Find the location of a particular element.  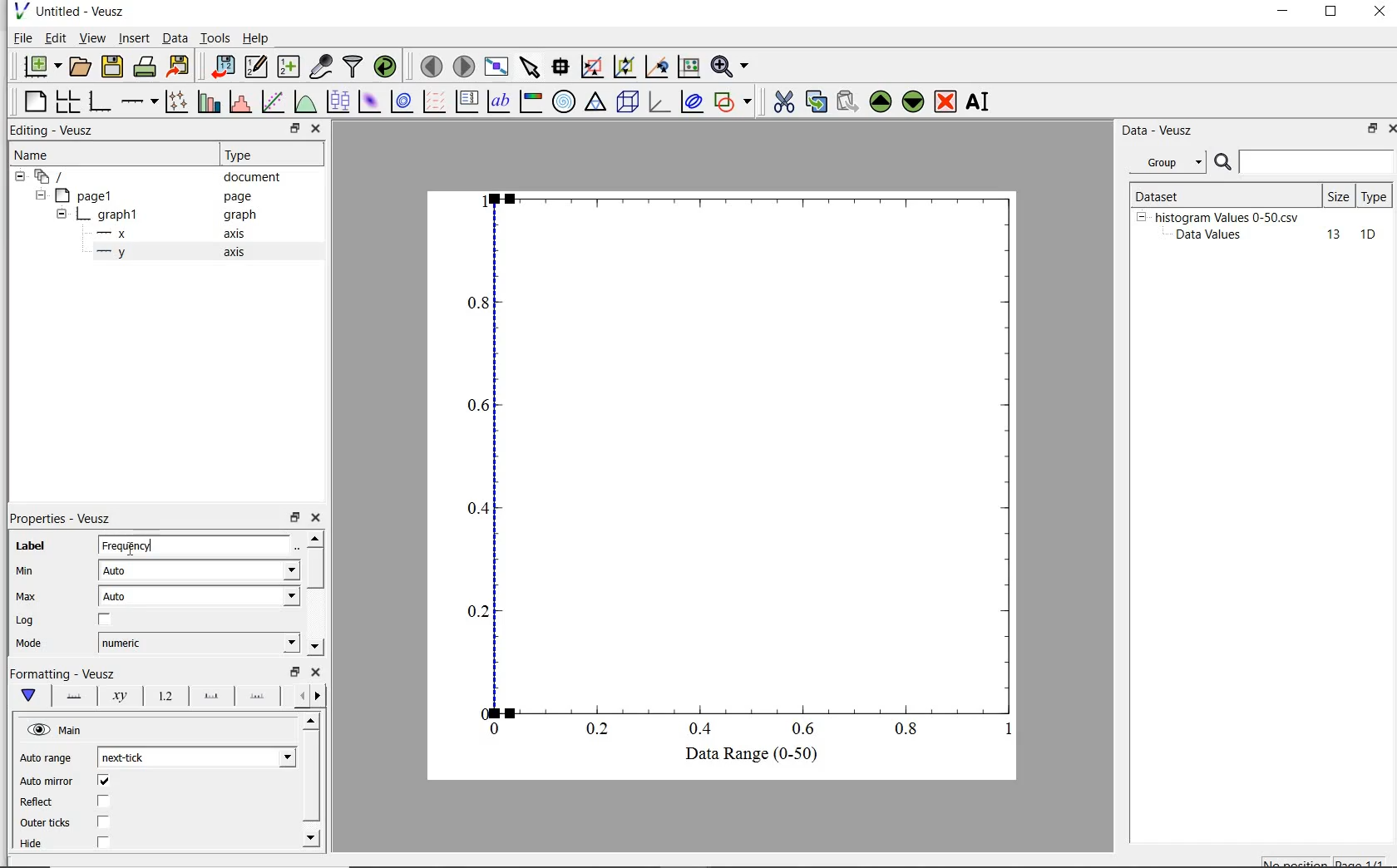

checkbox is located at coordinates (104, 782).